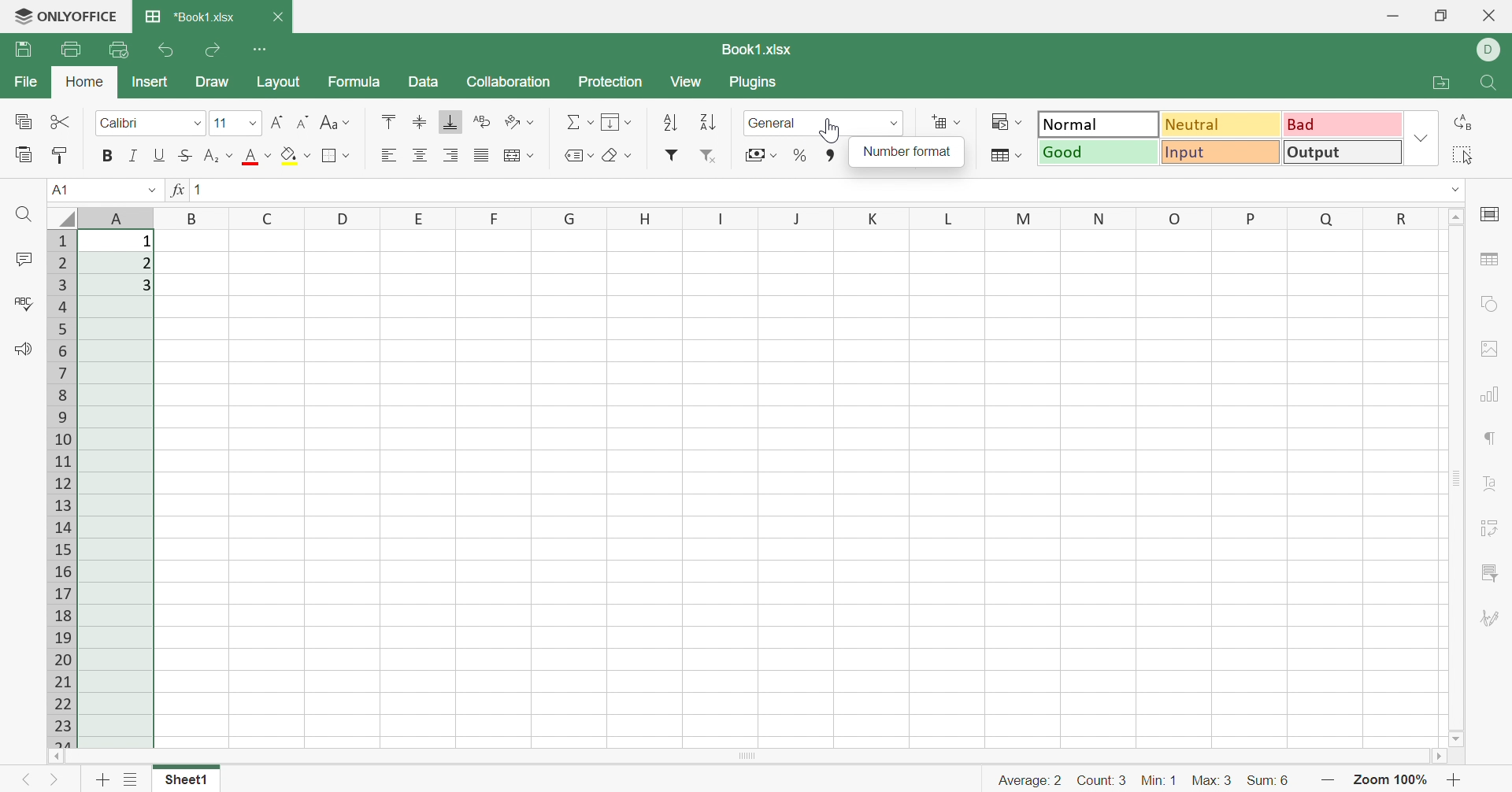 The image size is (1512, 792). I want to click on Find, so click(22, 215).